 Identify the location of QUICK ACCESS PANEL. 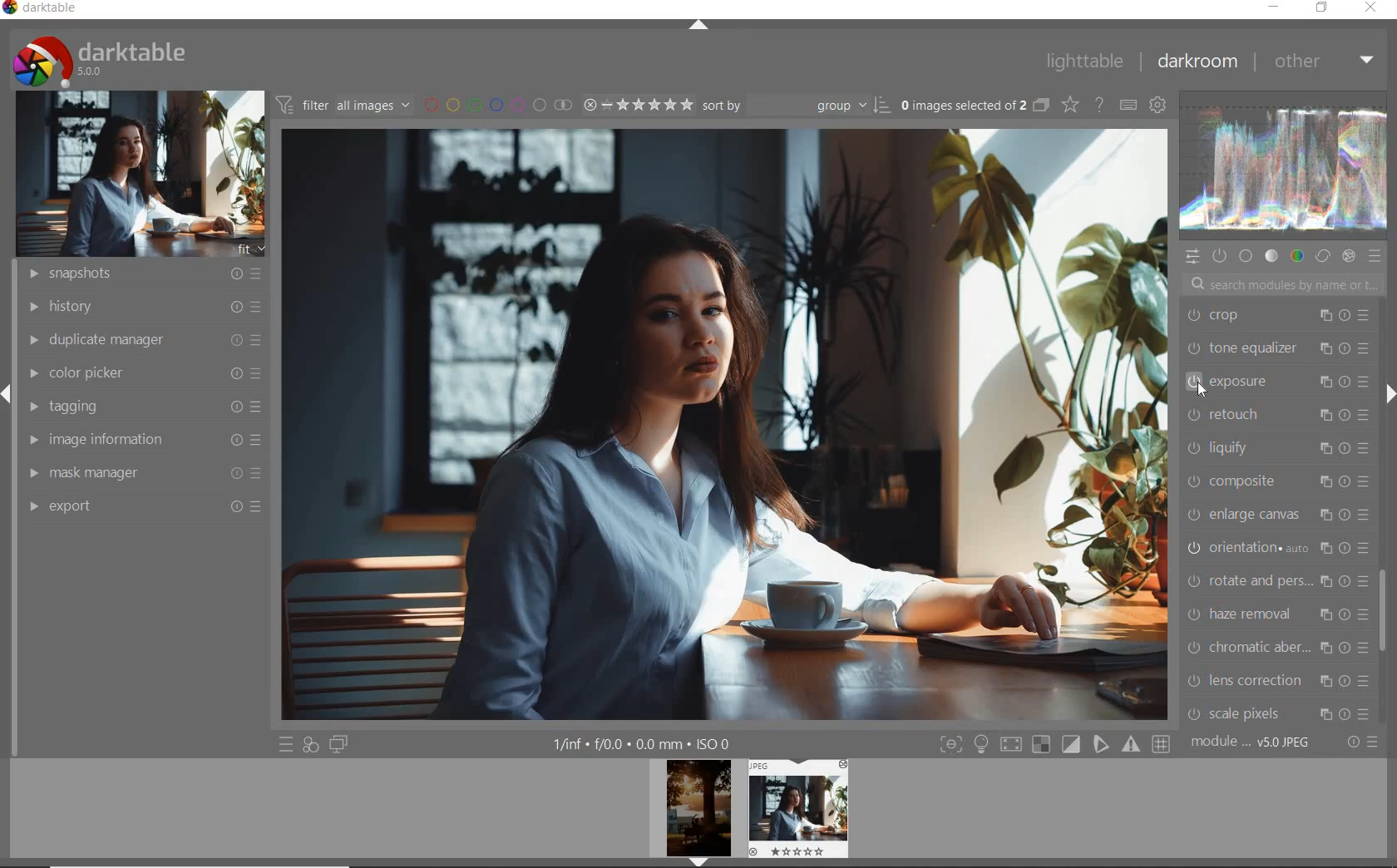
(1192, 257).